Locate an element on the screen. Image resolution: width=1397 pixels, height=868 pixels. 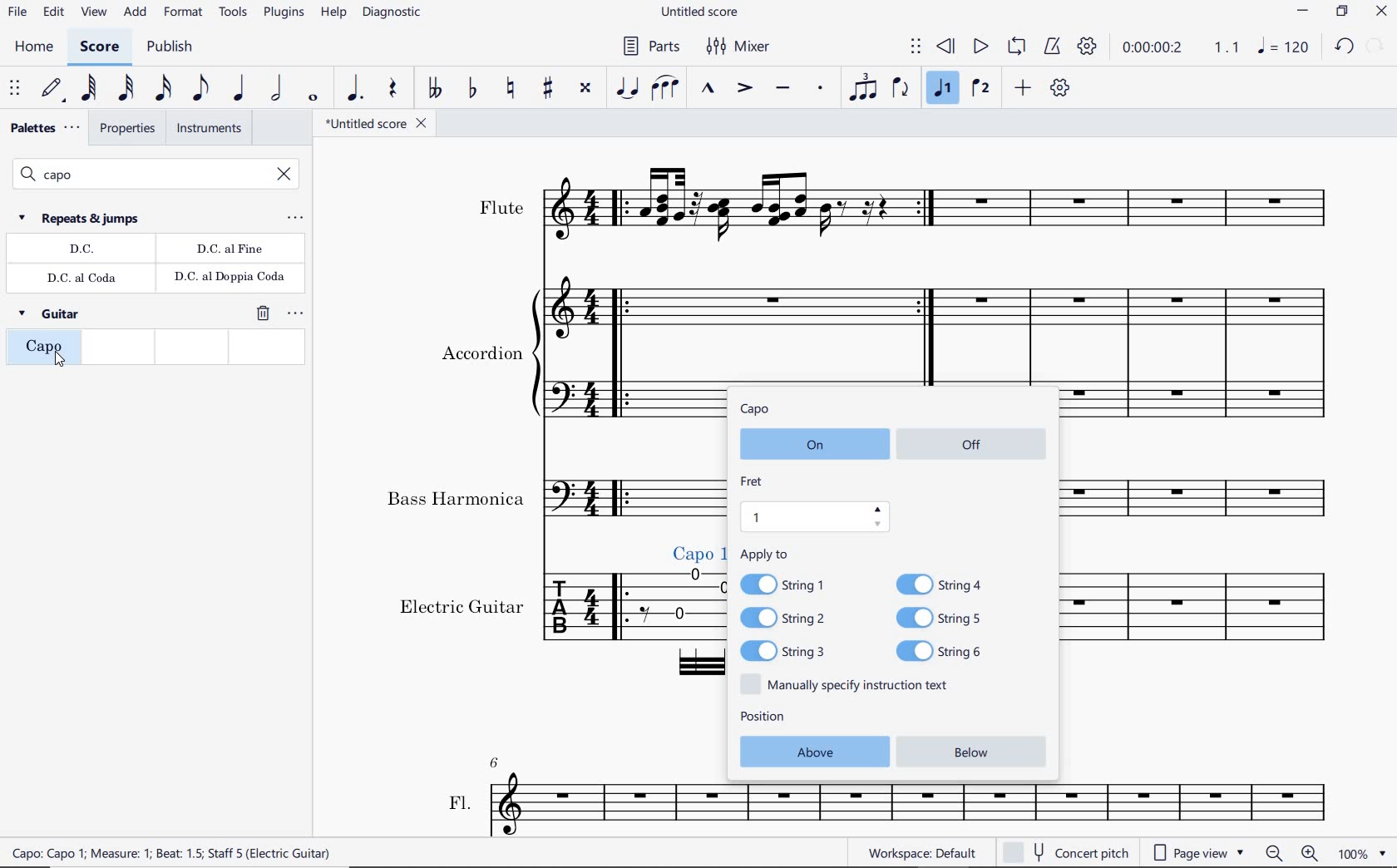
parts is located at coordinates (652, 47).